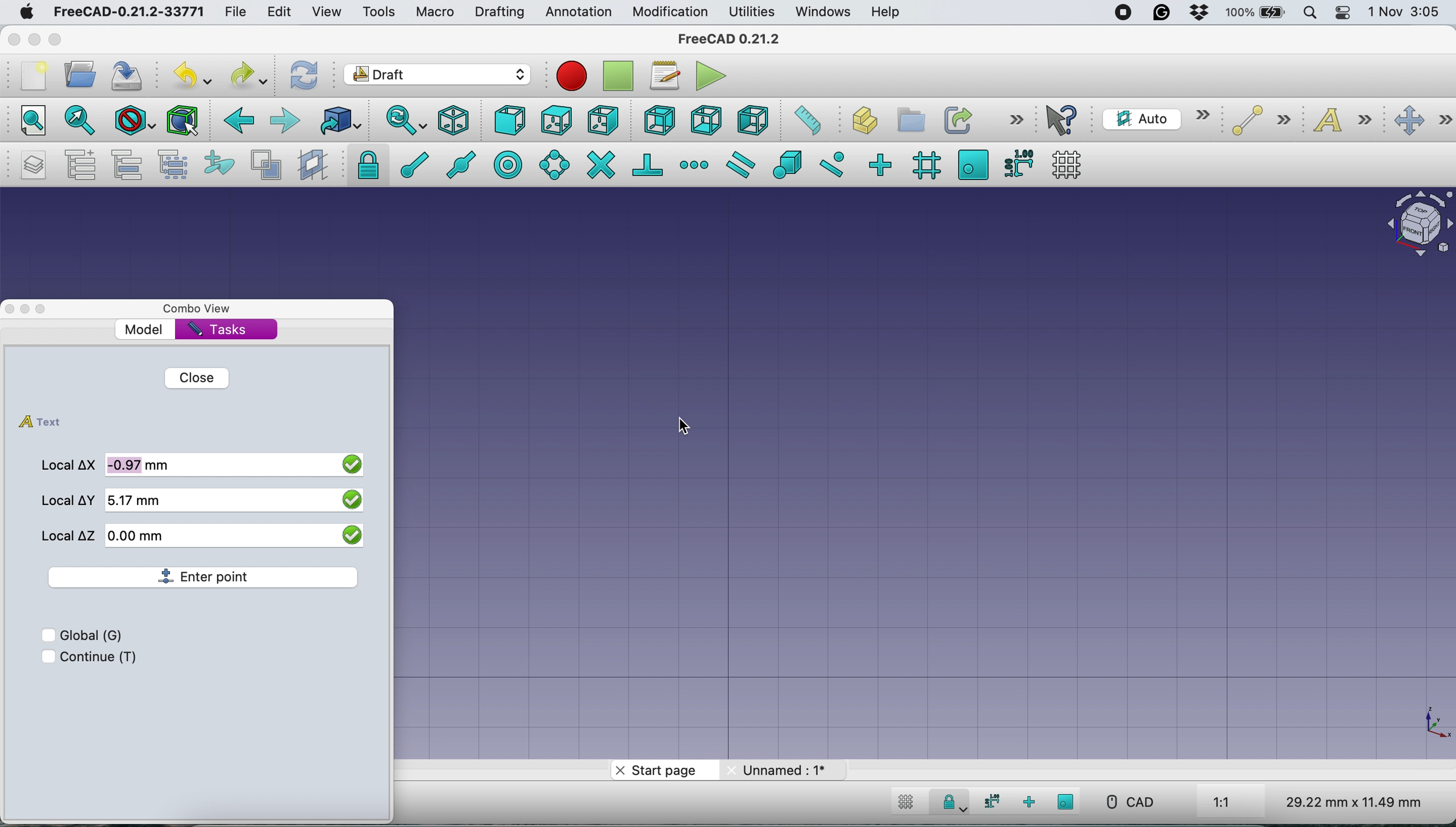 Image resolution: width=1456 pixels, height=827 pixels. What do you see at coordinates (1018, 119) in the screenshot?
I see `more options` at bounding box center [1018, 119].